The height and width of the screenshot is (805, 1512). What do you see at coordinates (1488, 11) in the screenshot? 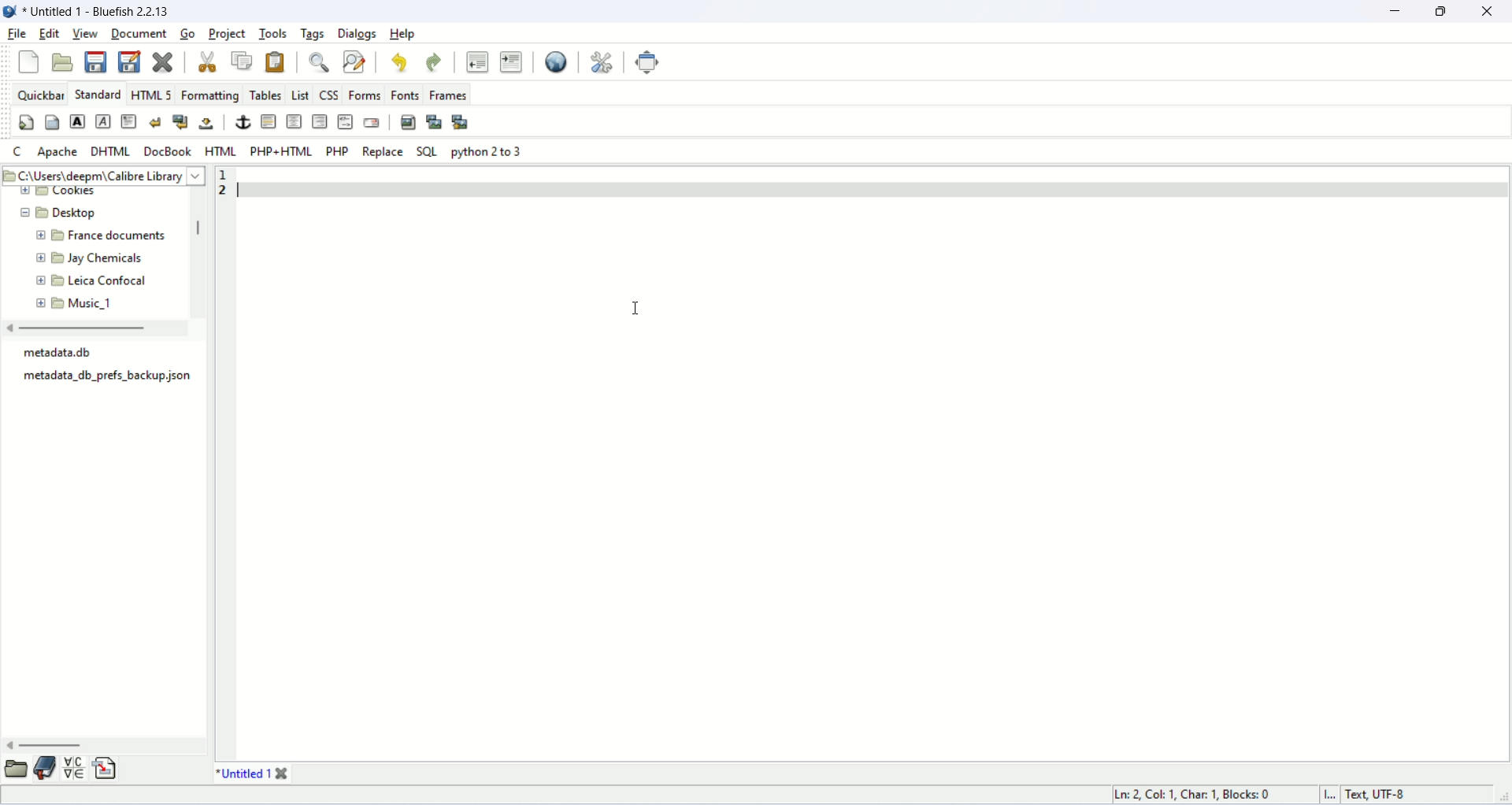
I see `close` at bounding box center [1488, 11].